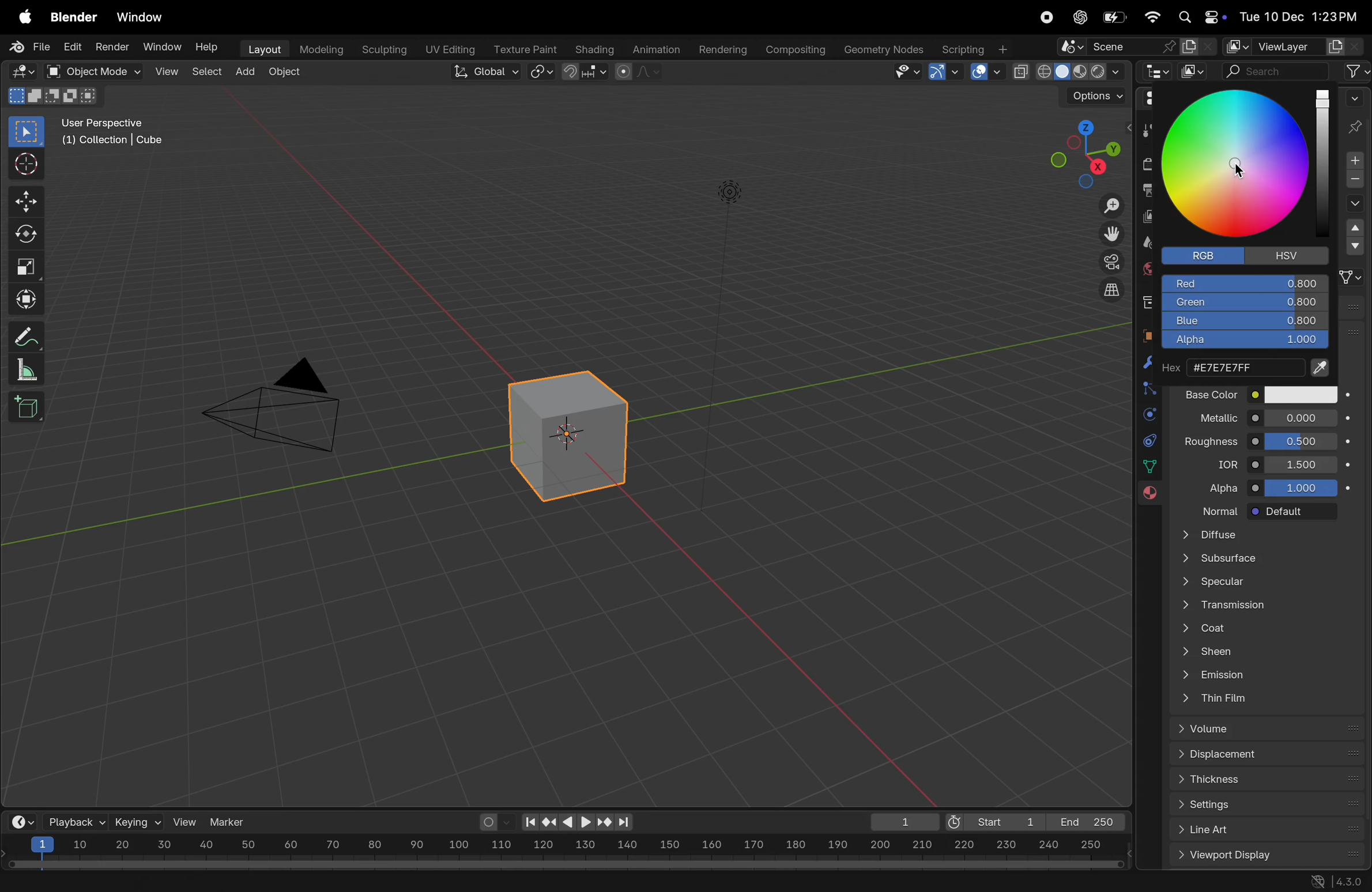  What do you see at coordinates (1356, 114) in the screenshot?
I see `pin` at bounding box center [1356, 114].